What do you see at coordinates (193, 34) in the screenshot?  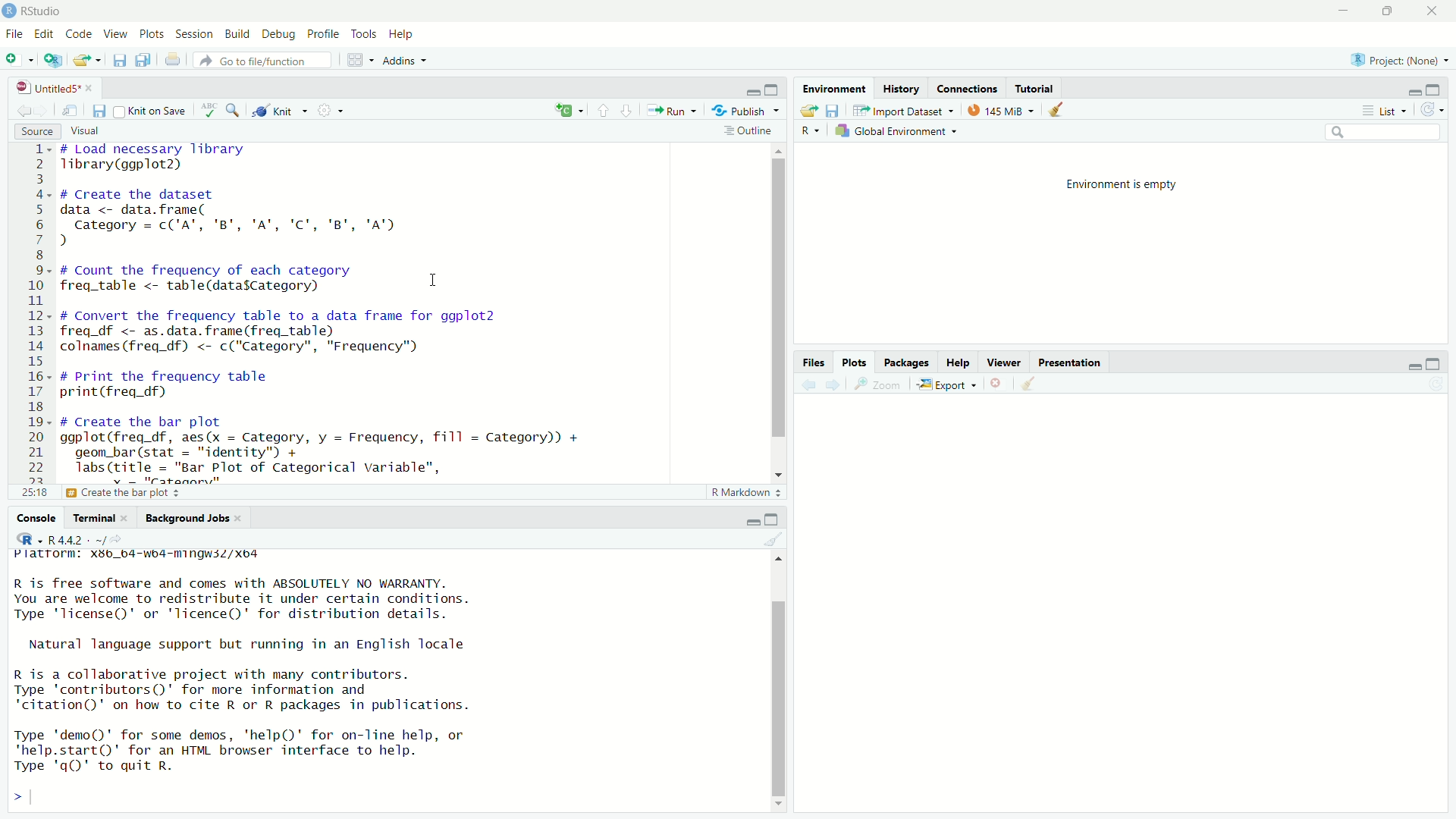 I see `sessions` at bounding box center [193, 34].